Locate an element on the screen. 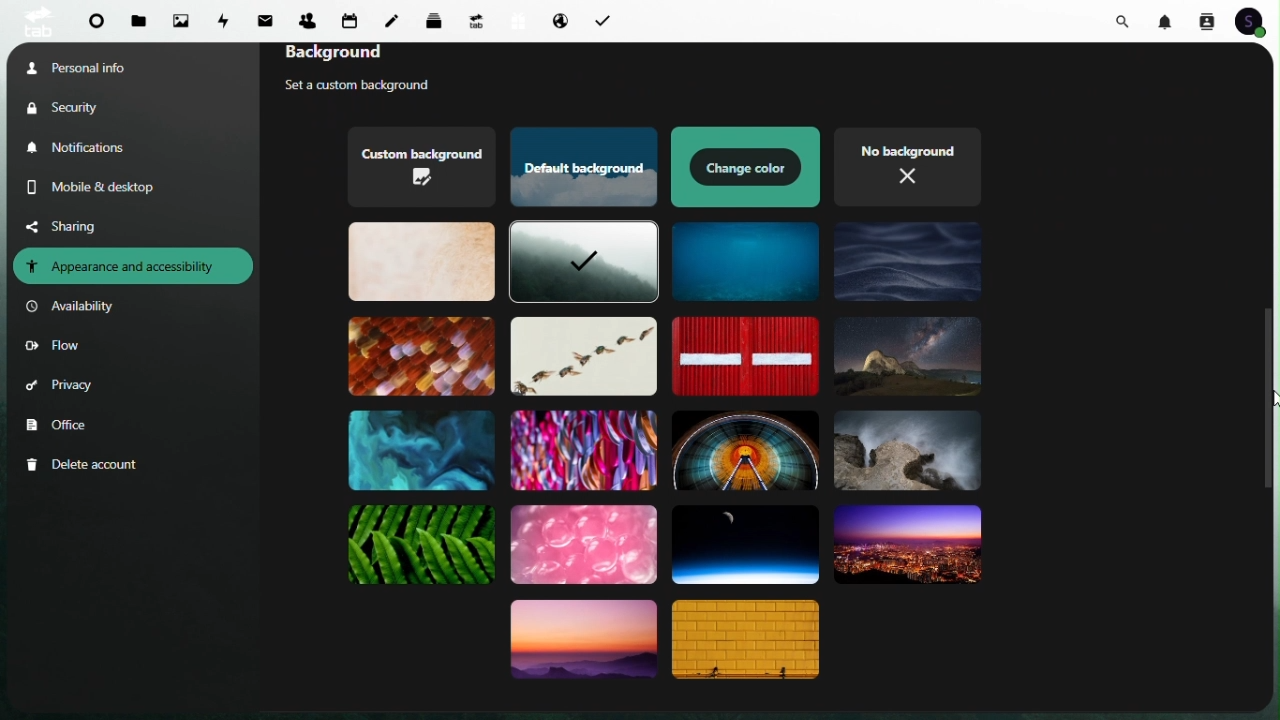  Office is located at coordinates (61, 426).